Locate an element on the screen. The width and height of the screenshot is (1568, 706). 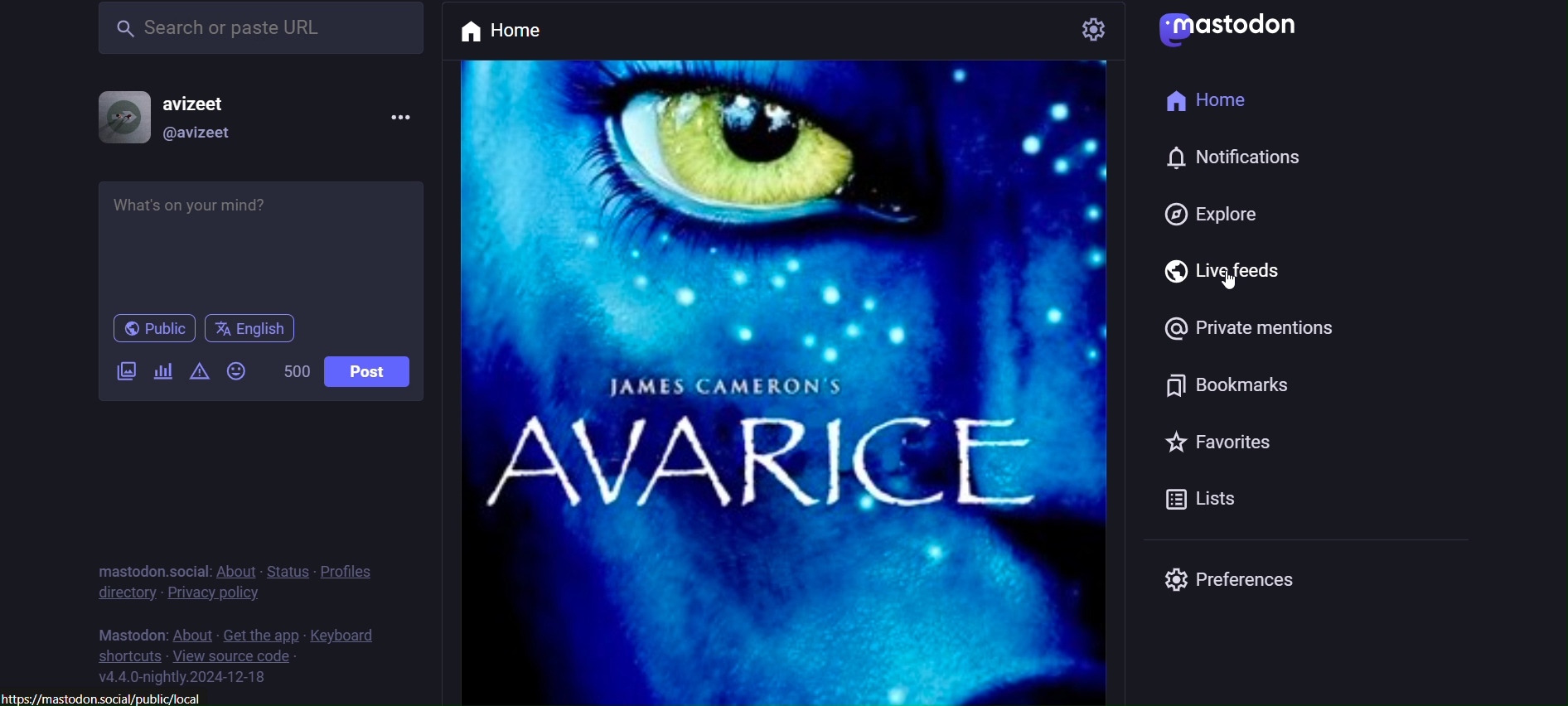
search is located at coordinates (255, 33).